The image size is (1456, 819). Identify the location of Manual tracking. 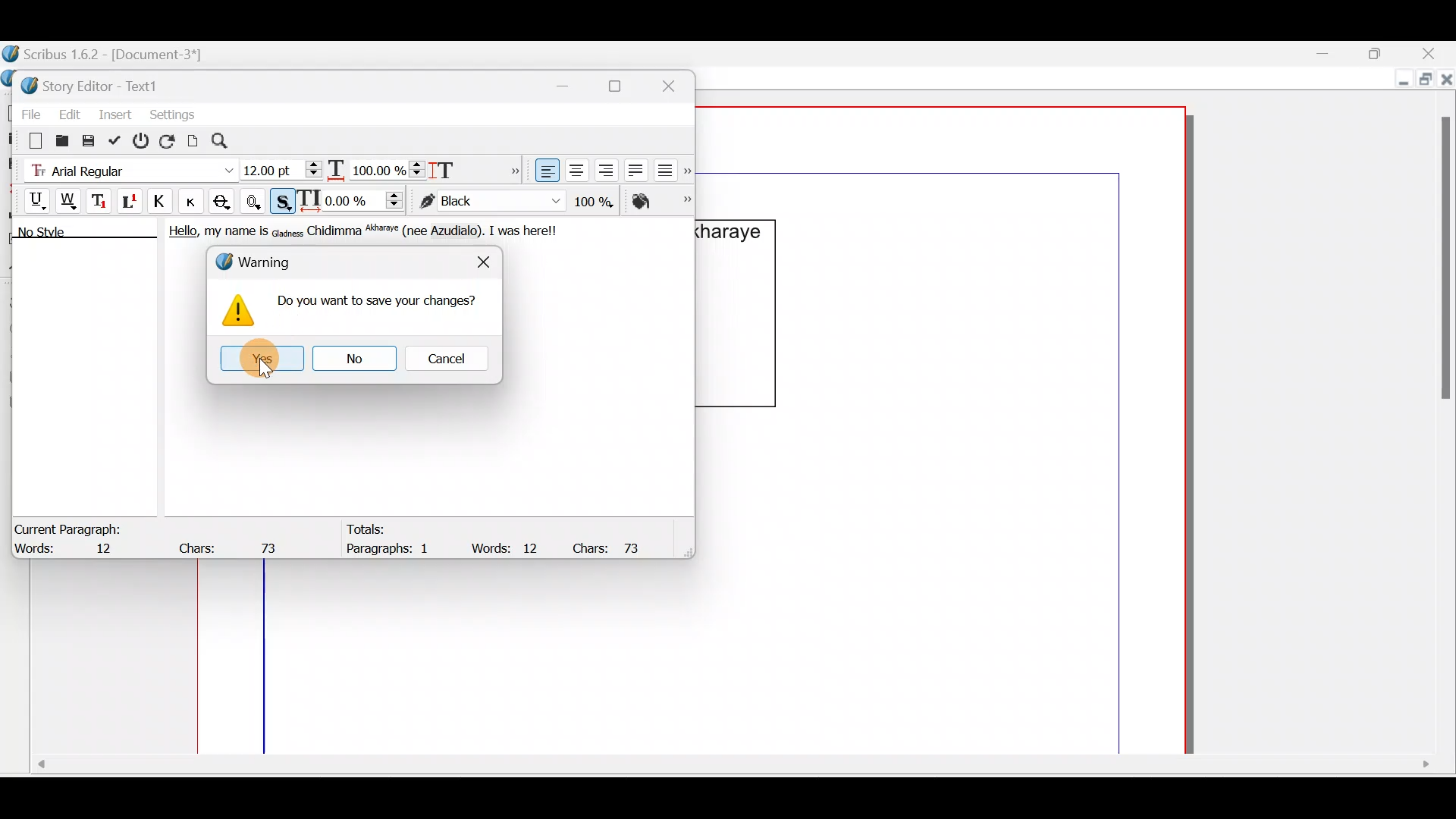
(354, 199).